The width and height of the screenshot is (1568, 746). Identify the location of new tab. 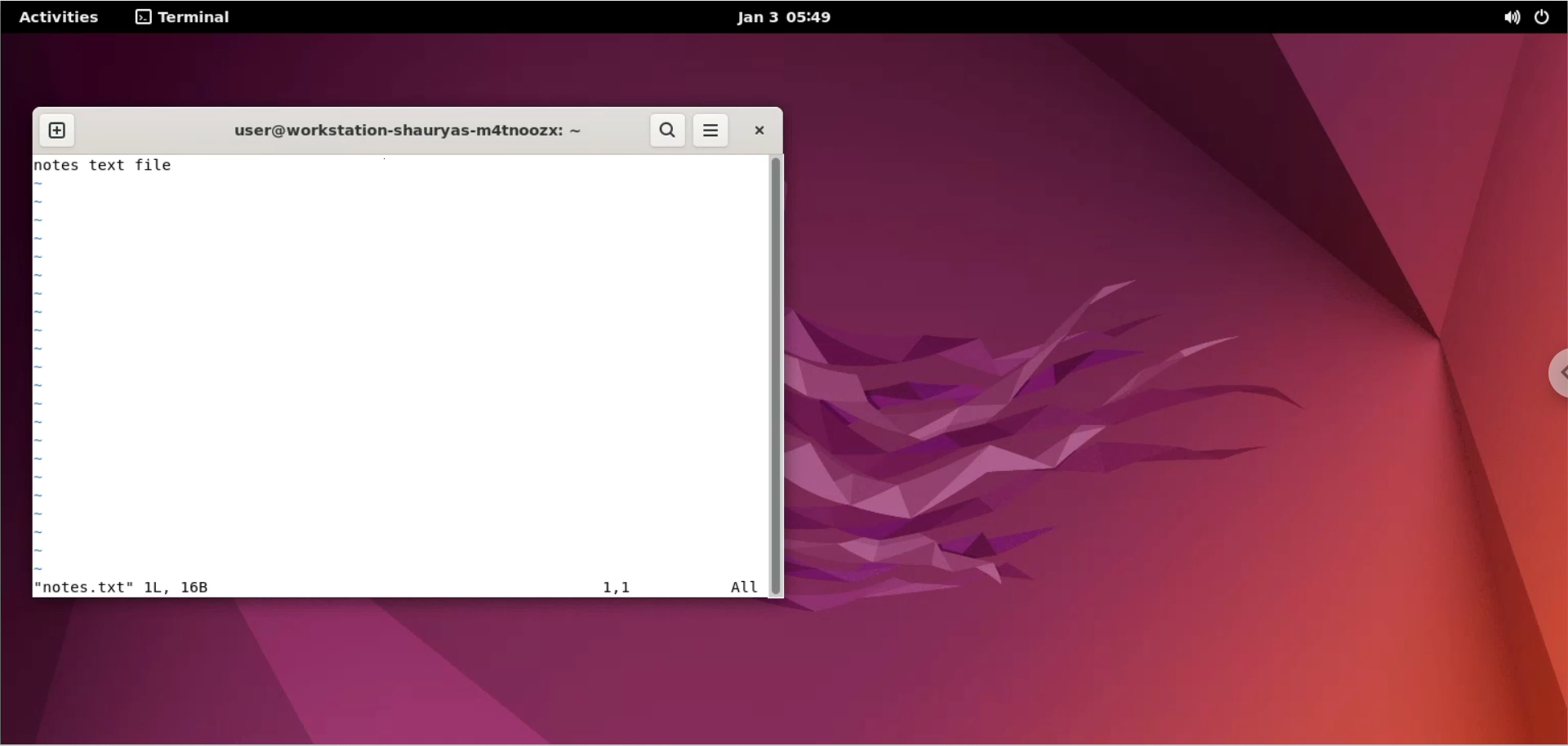
(58, 131).